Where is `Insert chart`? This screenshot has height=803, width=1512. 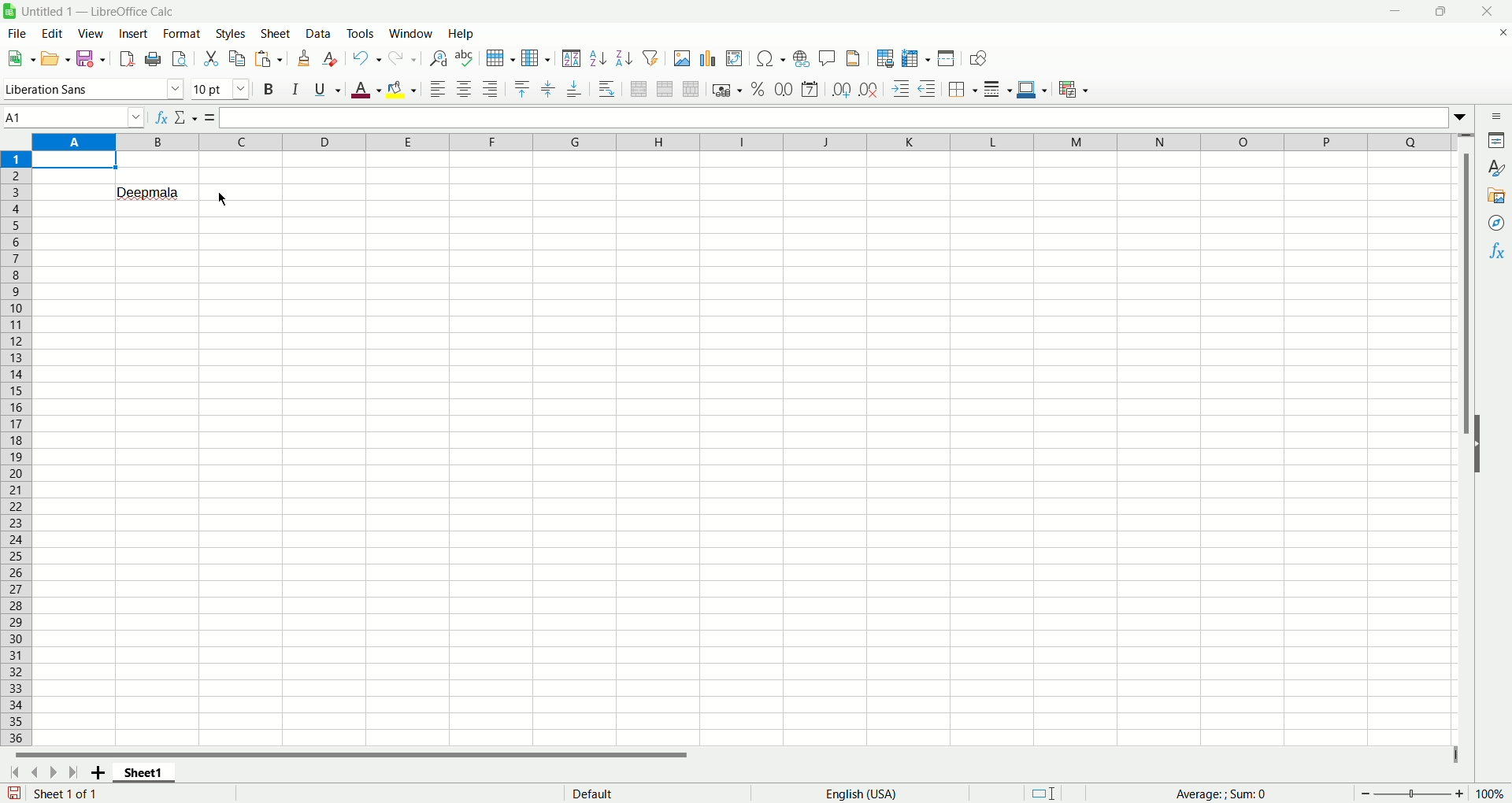 Insert chart is located at coordinates (710, 59).